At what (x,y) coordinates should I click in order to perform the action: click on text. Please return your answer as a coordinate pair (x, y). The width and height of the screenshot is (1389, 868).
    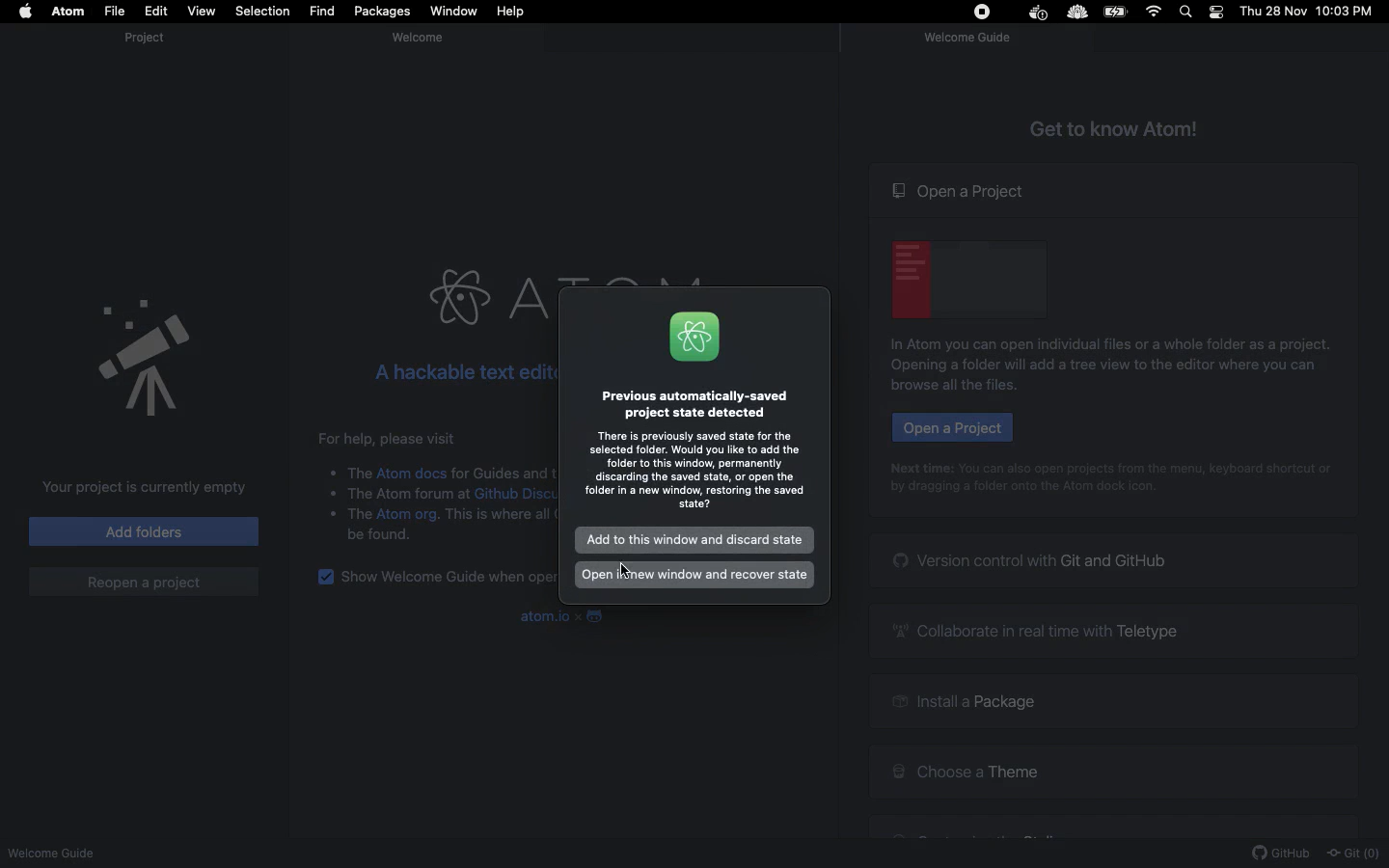
    Looking at the image, I should click on (361, 518).